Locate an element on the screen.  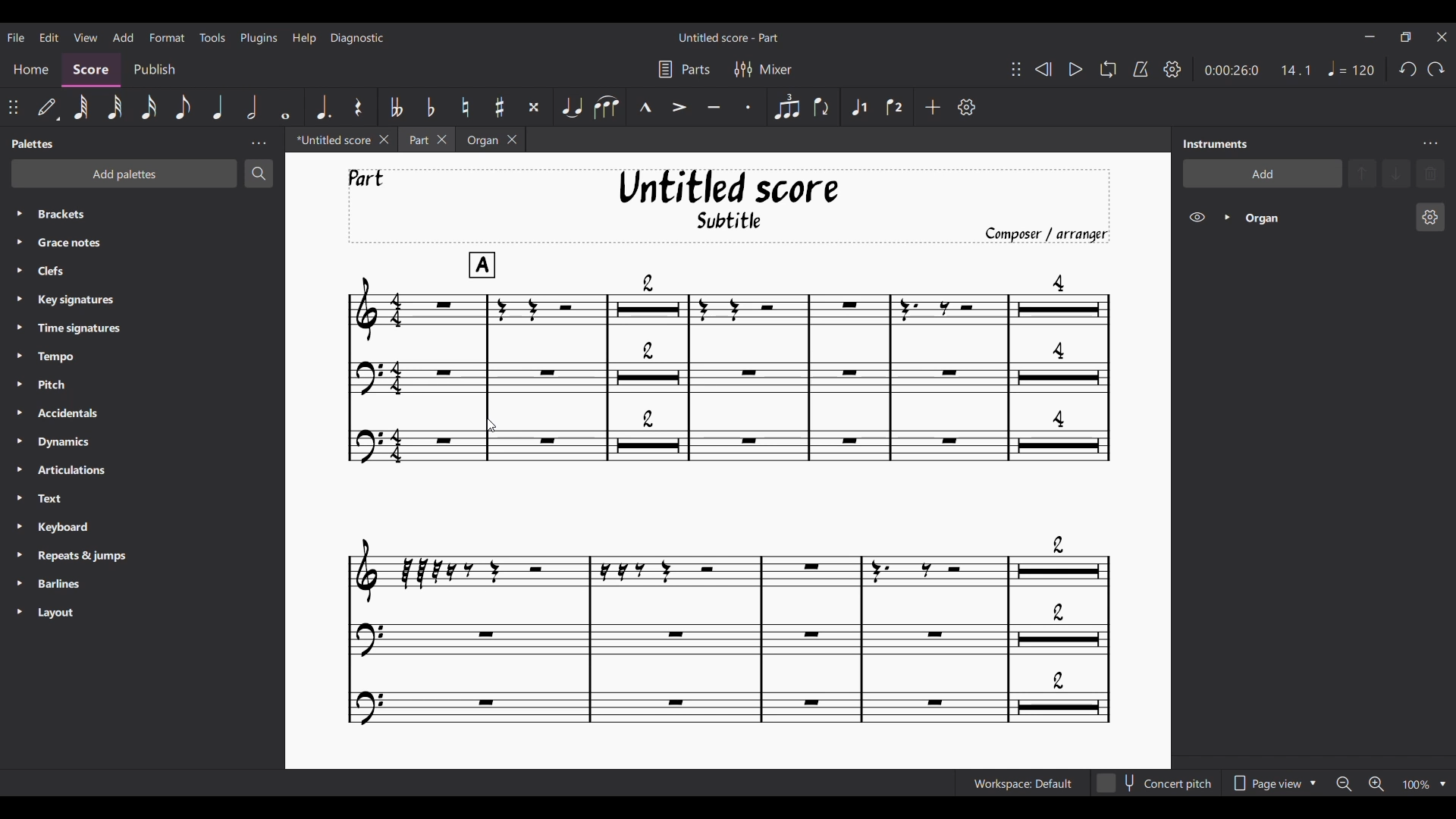
Toggle sharp is located at coordinates (500, 107).